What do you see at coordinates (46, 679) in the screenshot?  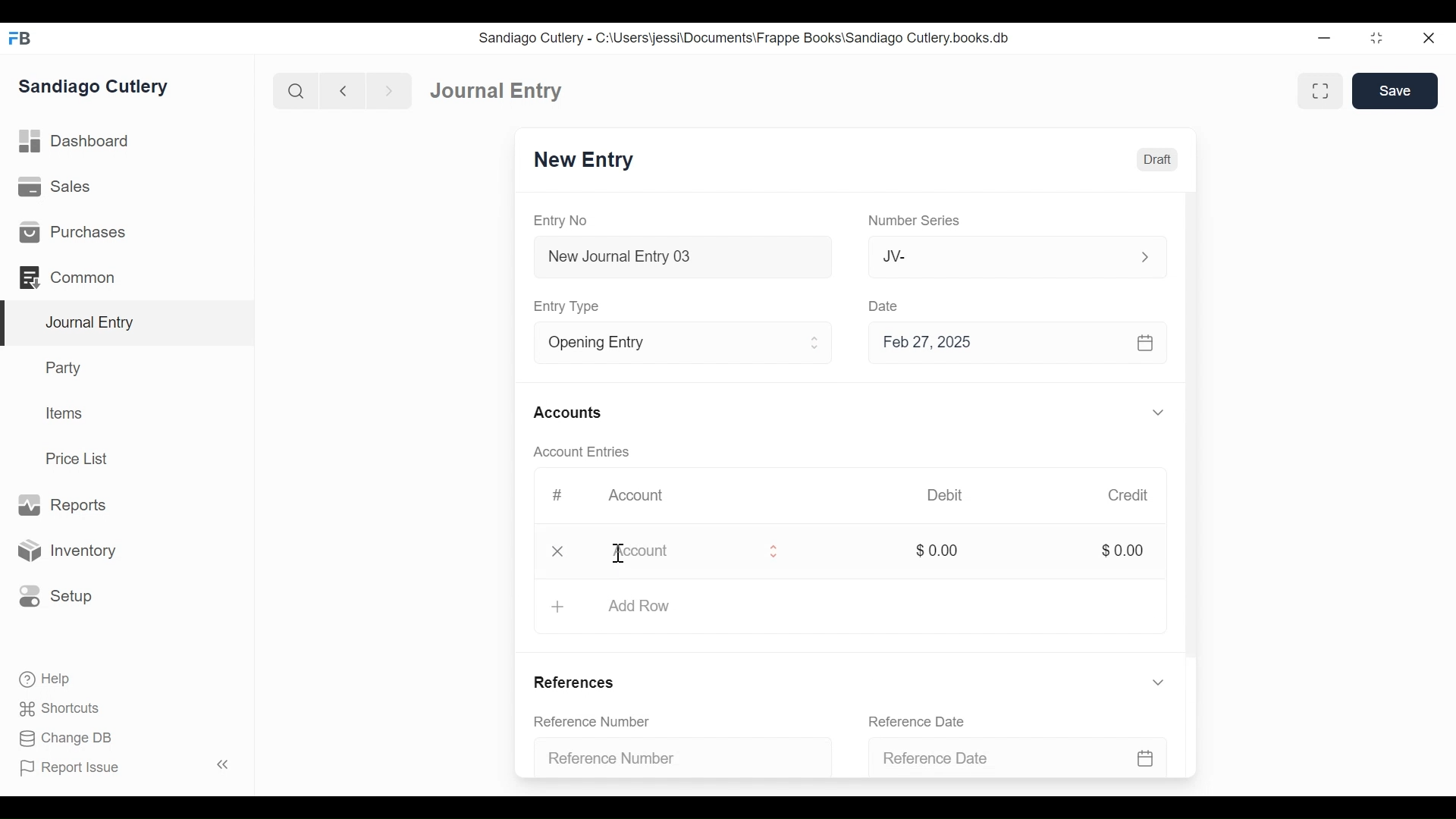 I see `Help` at bounding box center [46, 679].